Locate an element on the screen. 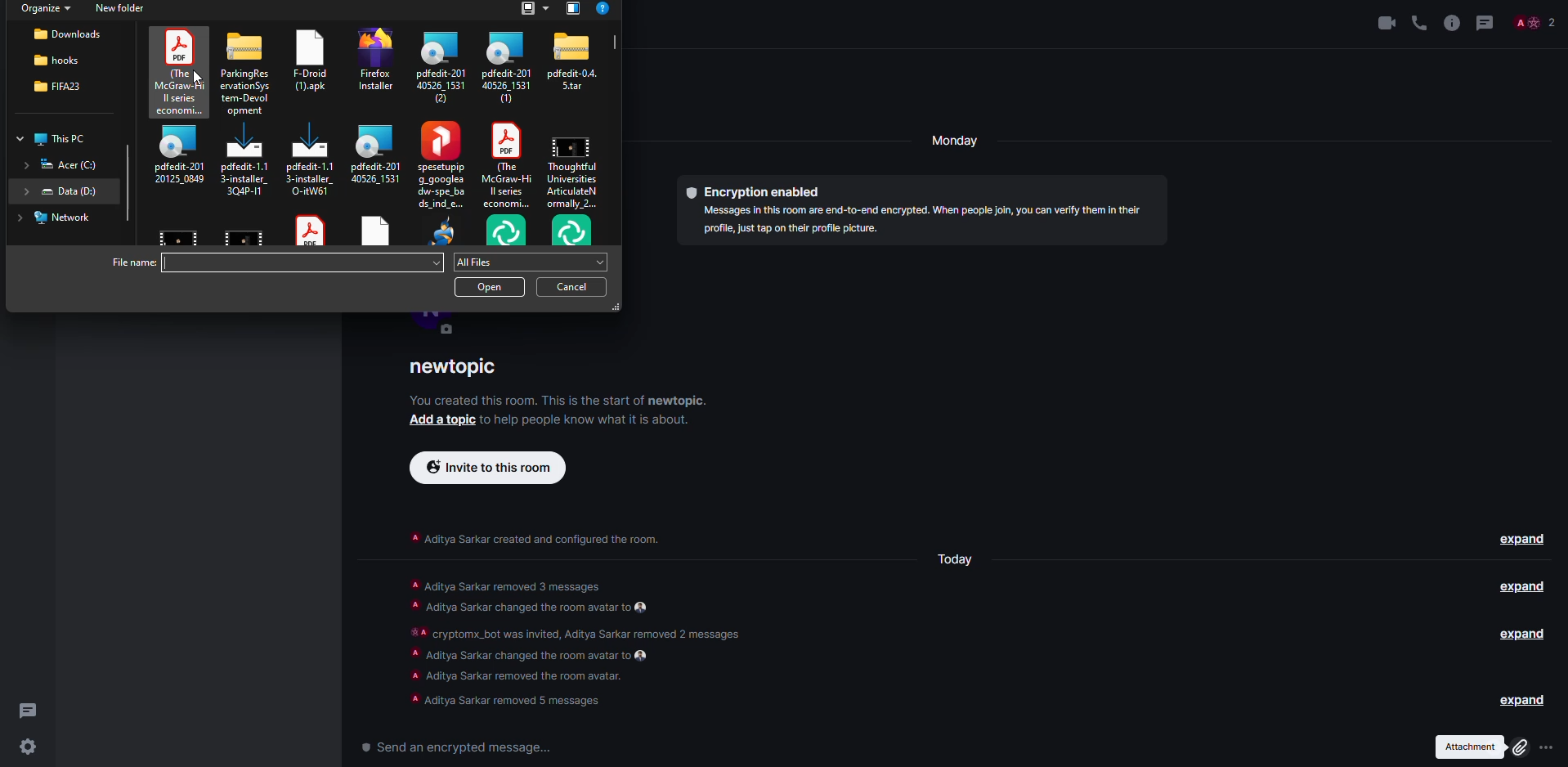  file is located at coordinates (568, 231).